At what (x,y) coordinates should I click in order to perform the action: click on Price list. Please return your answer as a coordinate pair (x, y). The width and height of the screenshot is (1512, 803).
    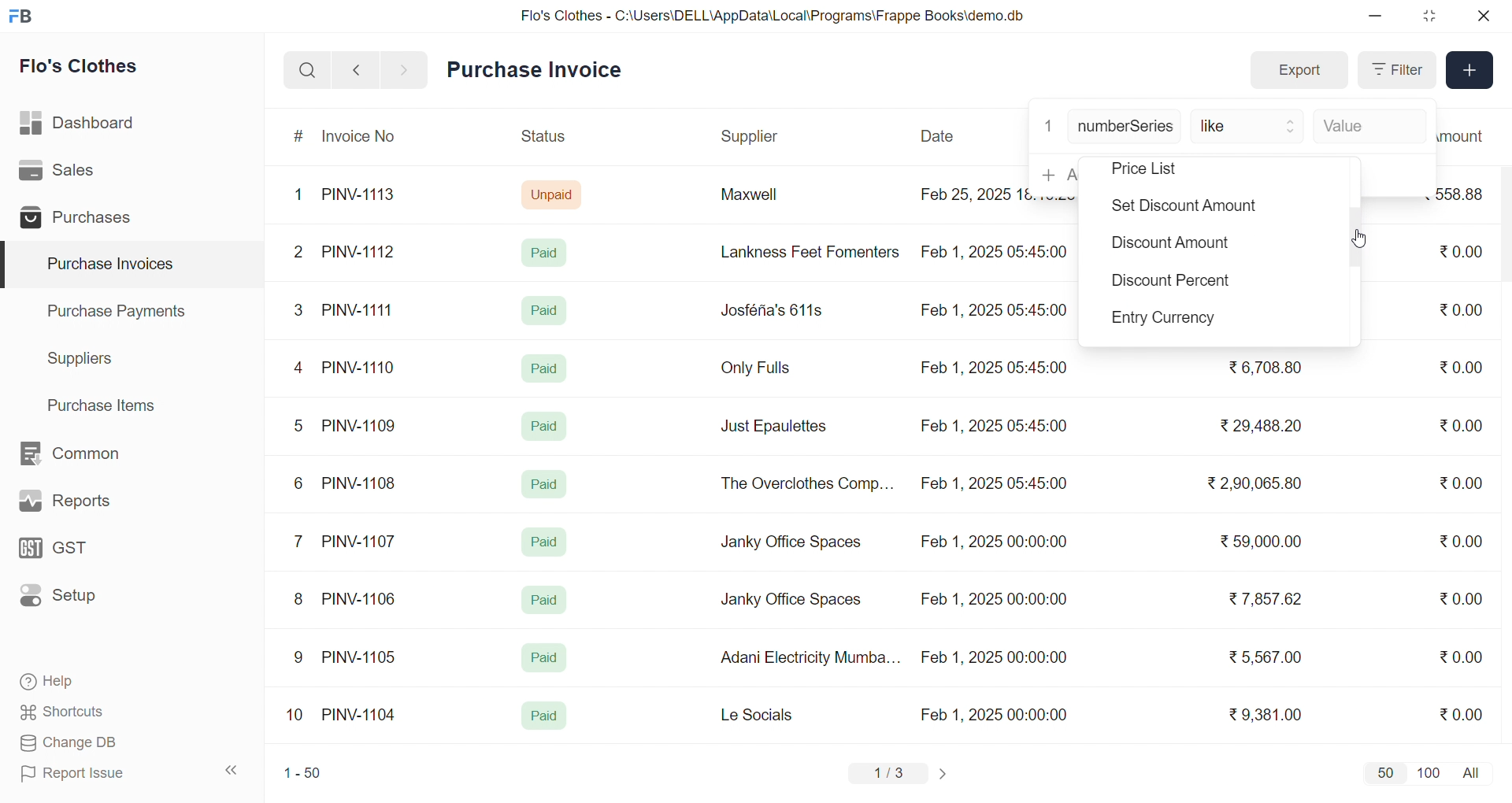
    Looking at the image, I should click on (1167, 169).